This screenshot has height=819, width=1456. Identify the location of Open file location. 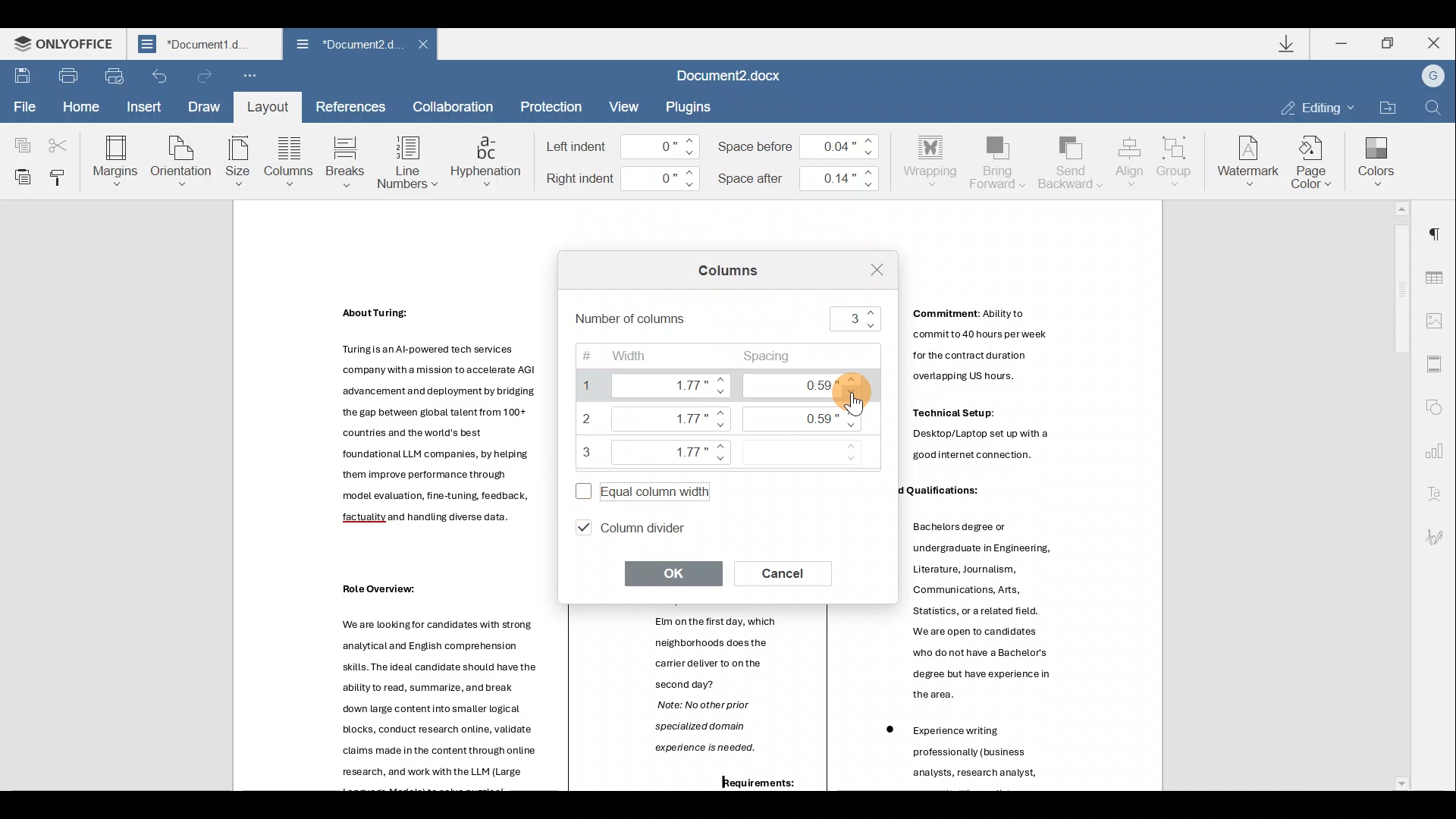
(1387, 106).